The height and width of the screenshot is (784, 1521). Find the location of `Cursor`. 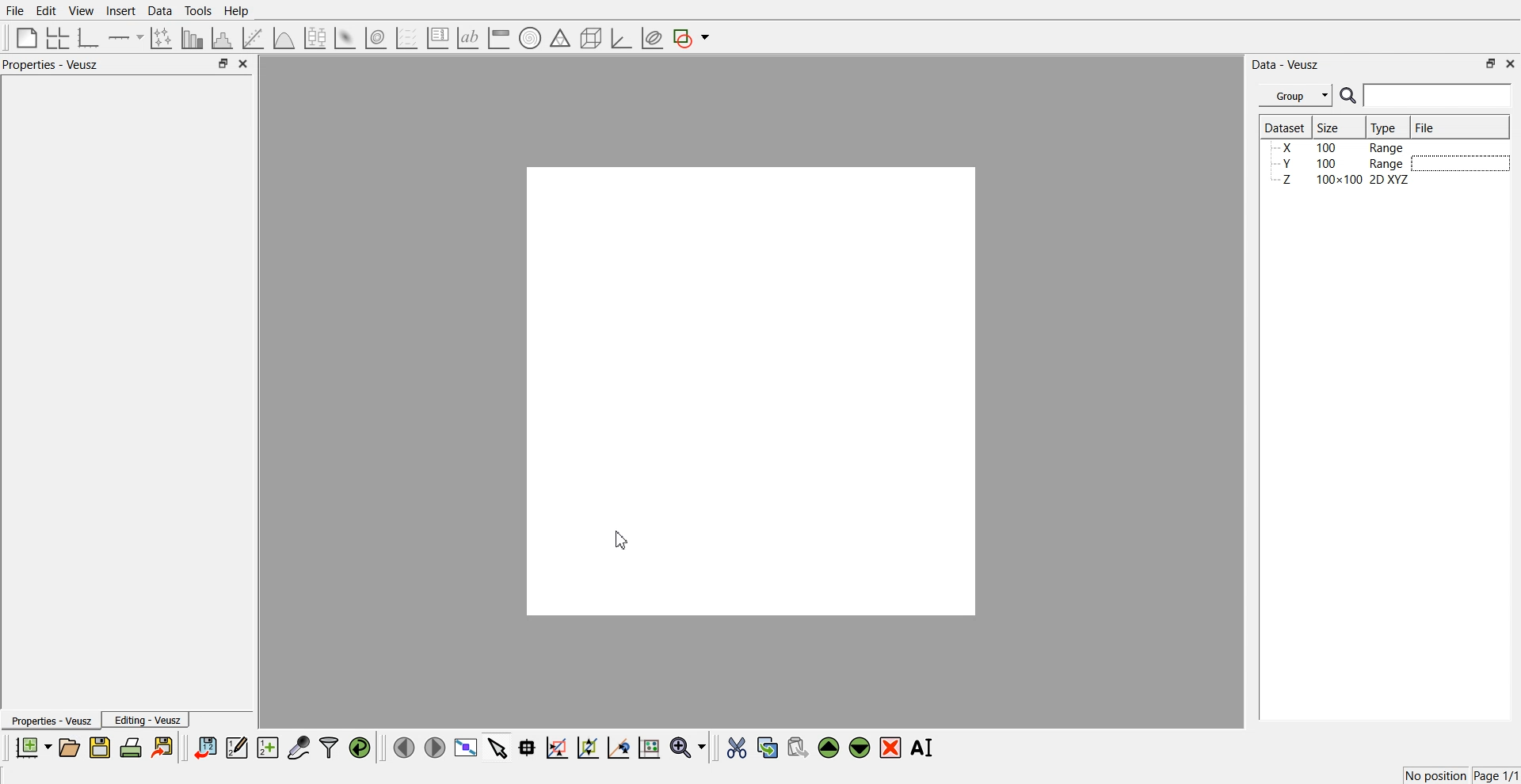

Cursor is located at coordinates (623, 539).